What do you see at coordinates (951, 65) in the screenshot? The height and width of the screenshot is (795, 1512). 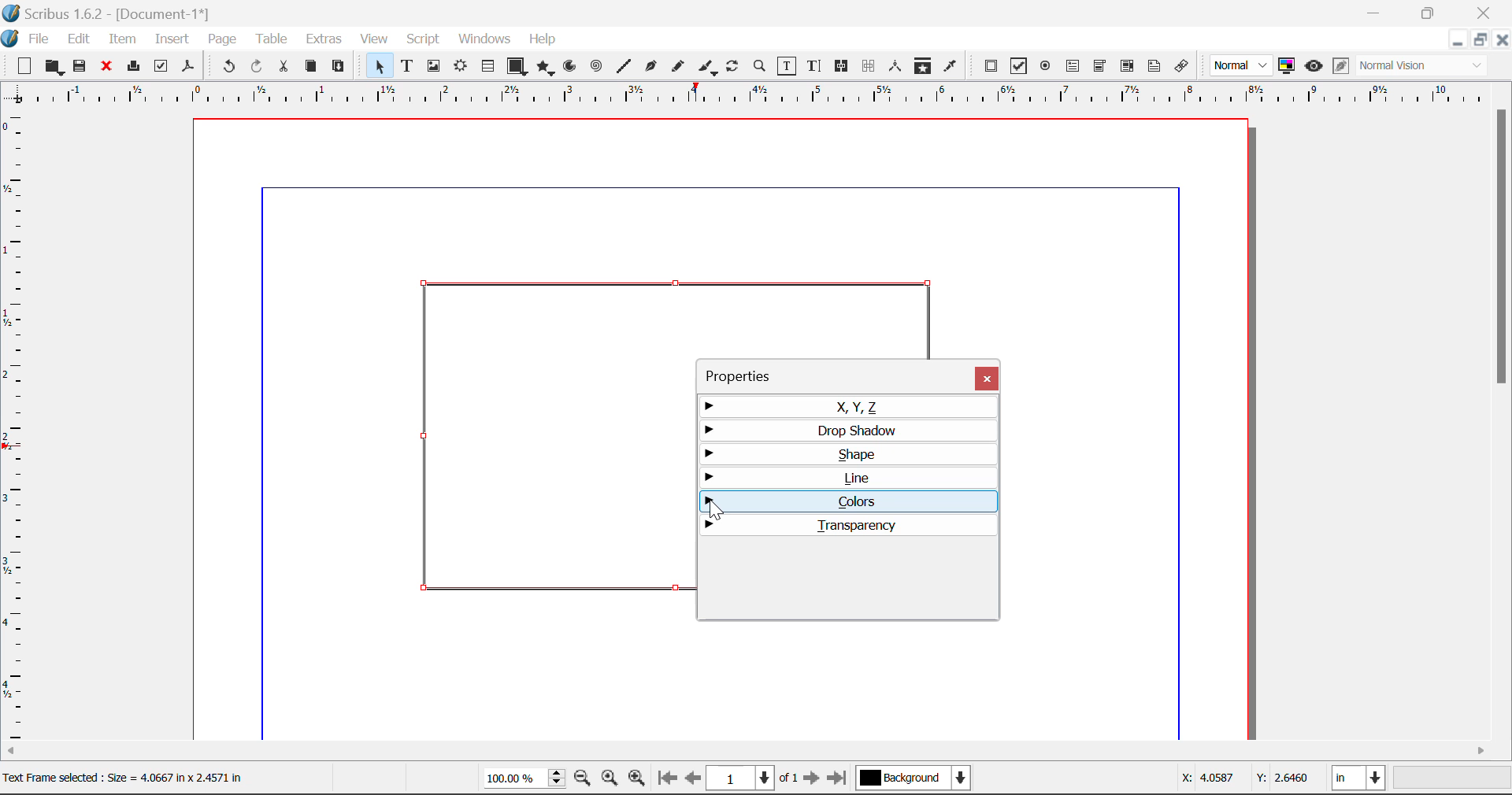 I see `Eyedropper` at bounding box center [951, 65].